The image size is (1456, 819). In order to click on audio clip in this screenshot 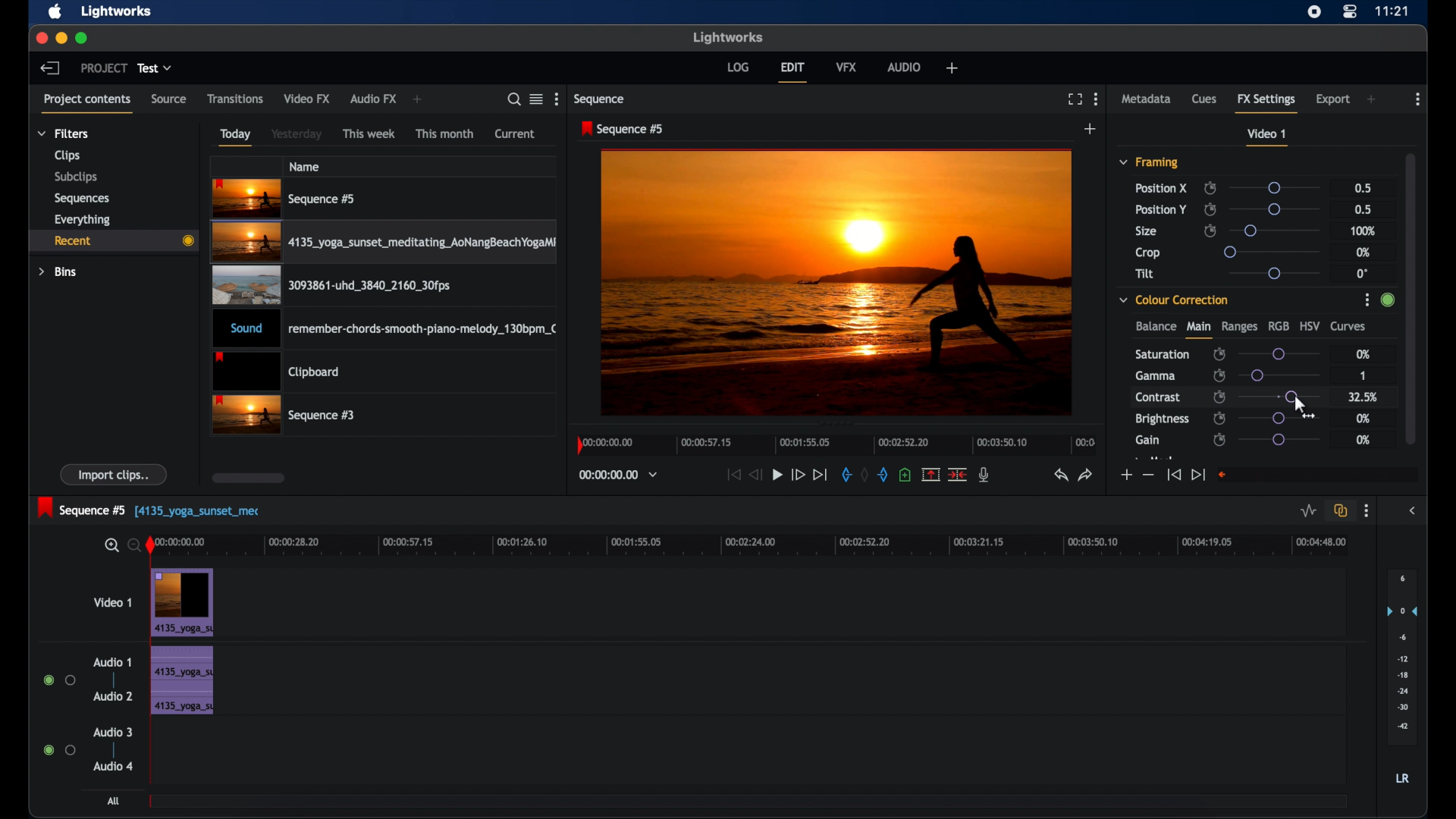, I will do `click(387, 330)`.